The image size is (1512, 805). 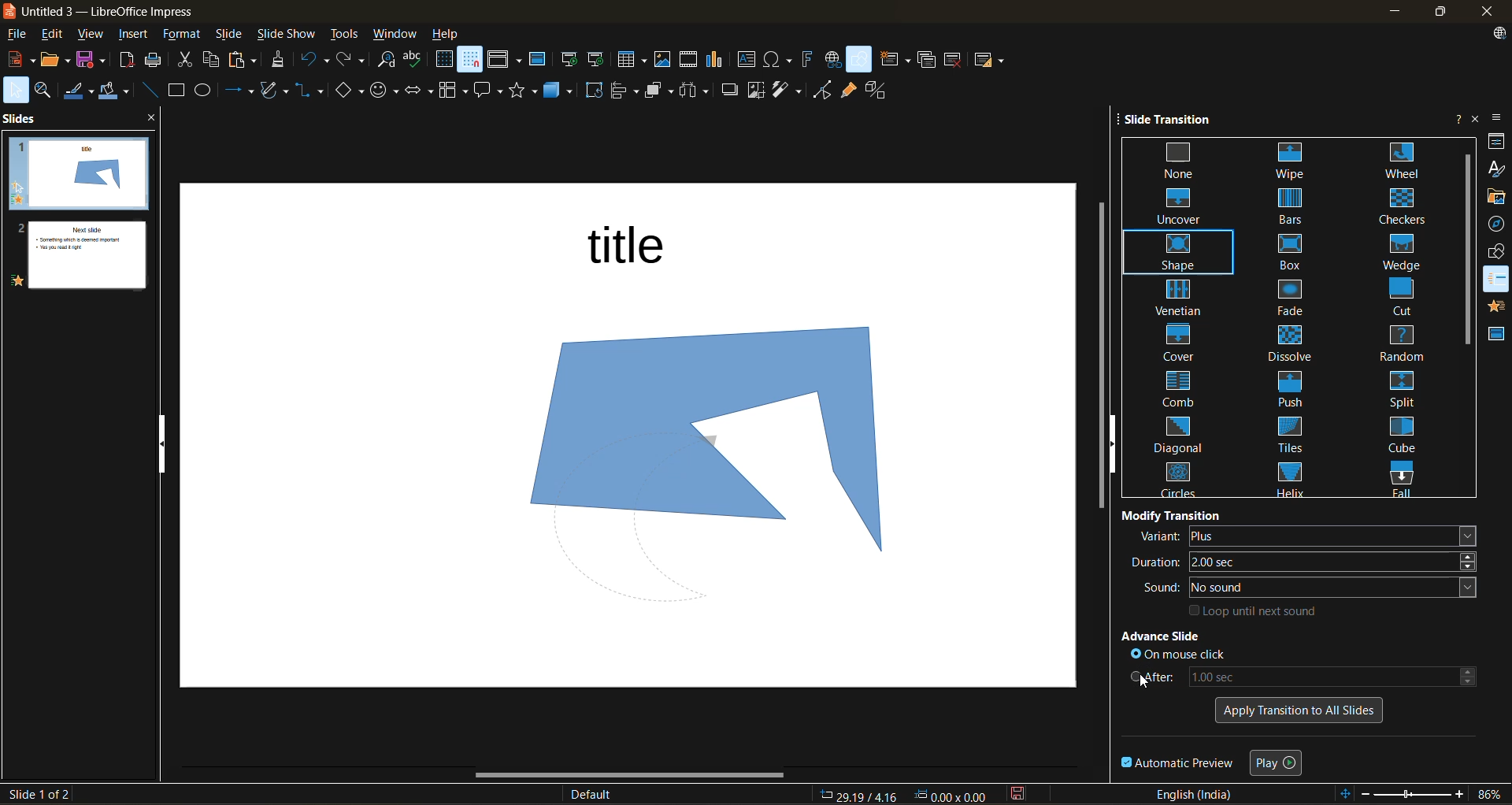 I want to click on slides, so click(x=74, y=215).